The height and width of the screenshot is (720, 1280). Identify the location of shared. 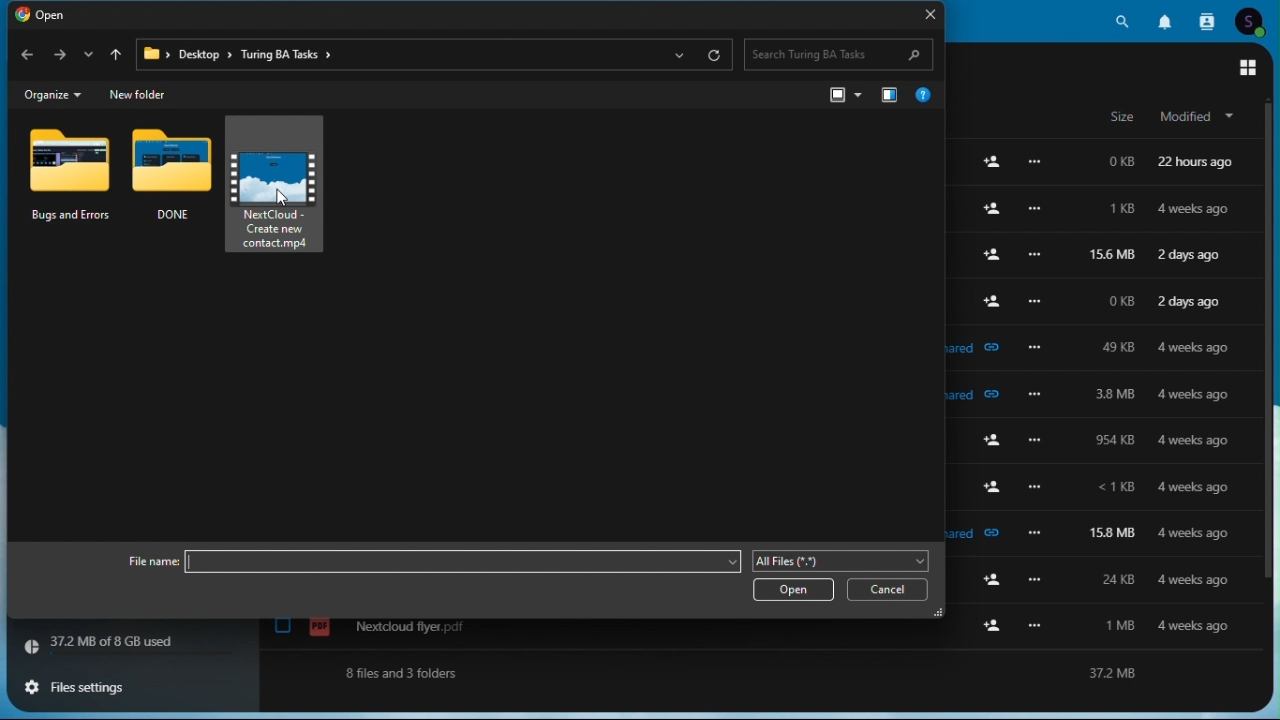
(981, 393).